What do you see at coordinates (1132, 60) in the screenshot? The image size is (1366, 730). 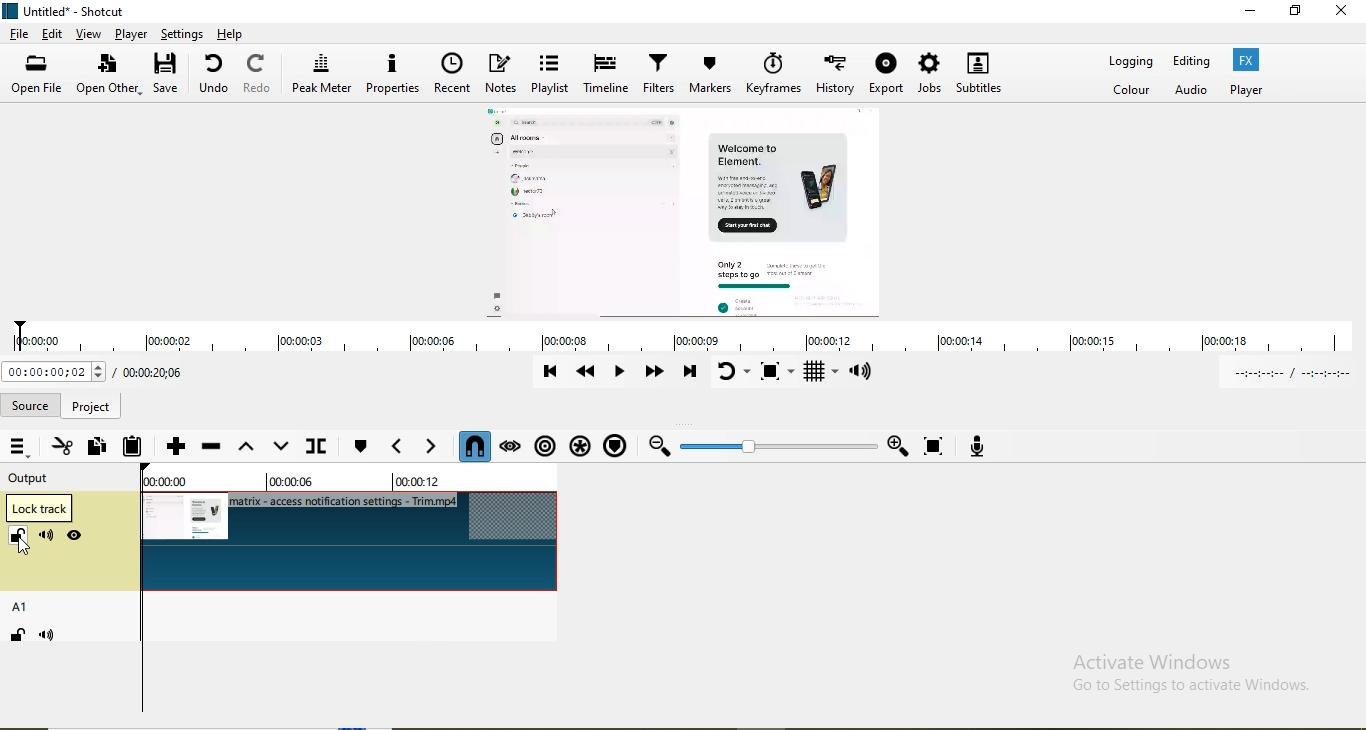 I see `Logging` at bounding box center [1132, 60].